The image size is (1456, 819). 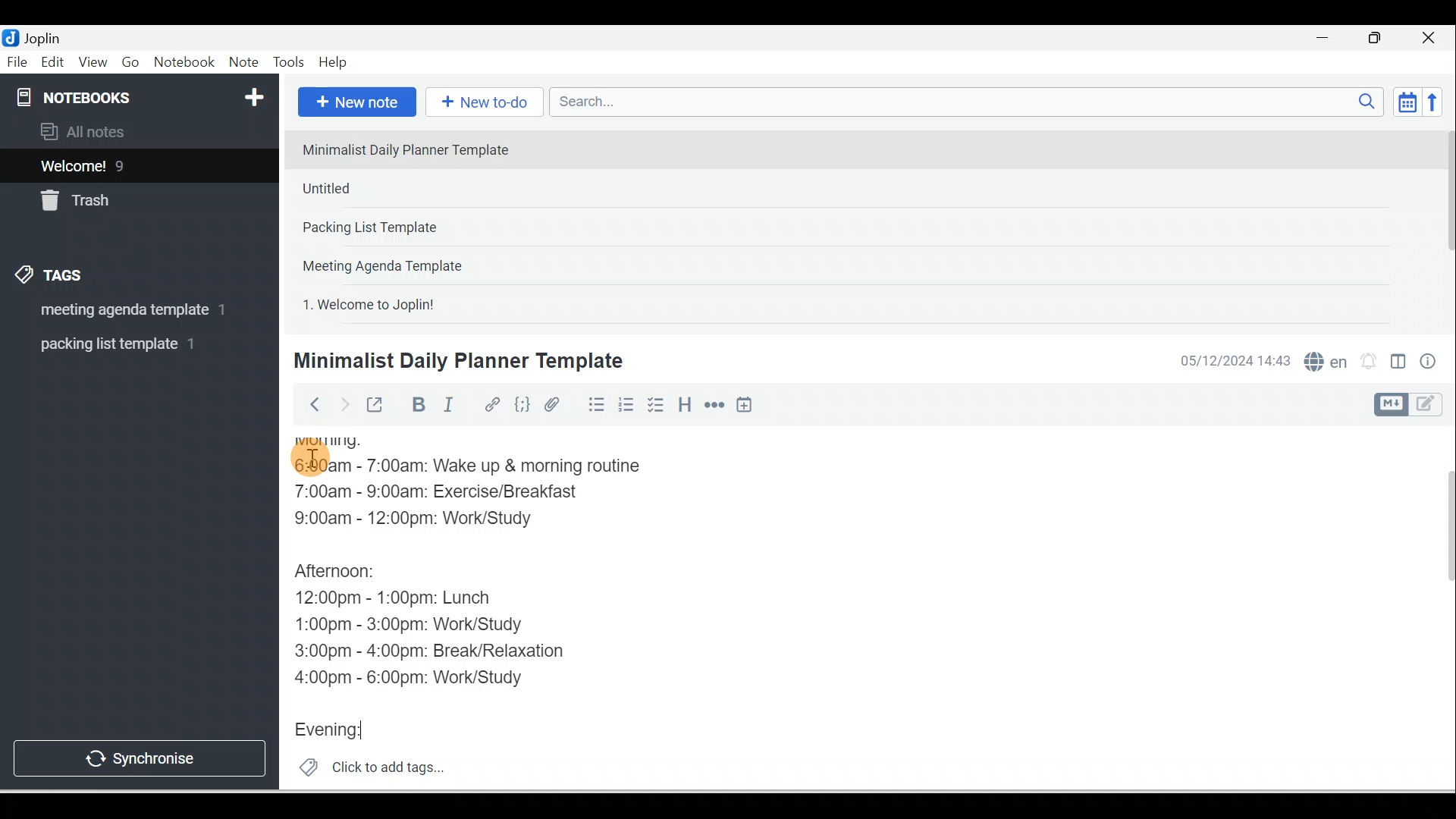 I want to click on Note 5, so click(x=424, y=303).